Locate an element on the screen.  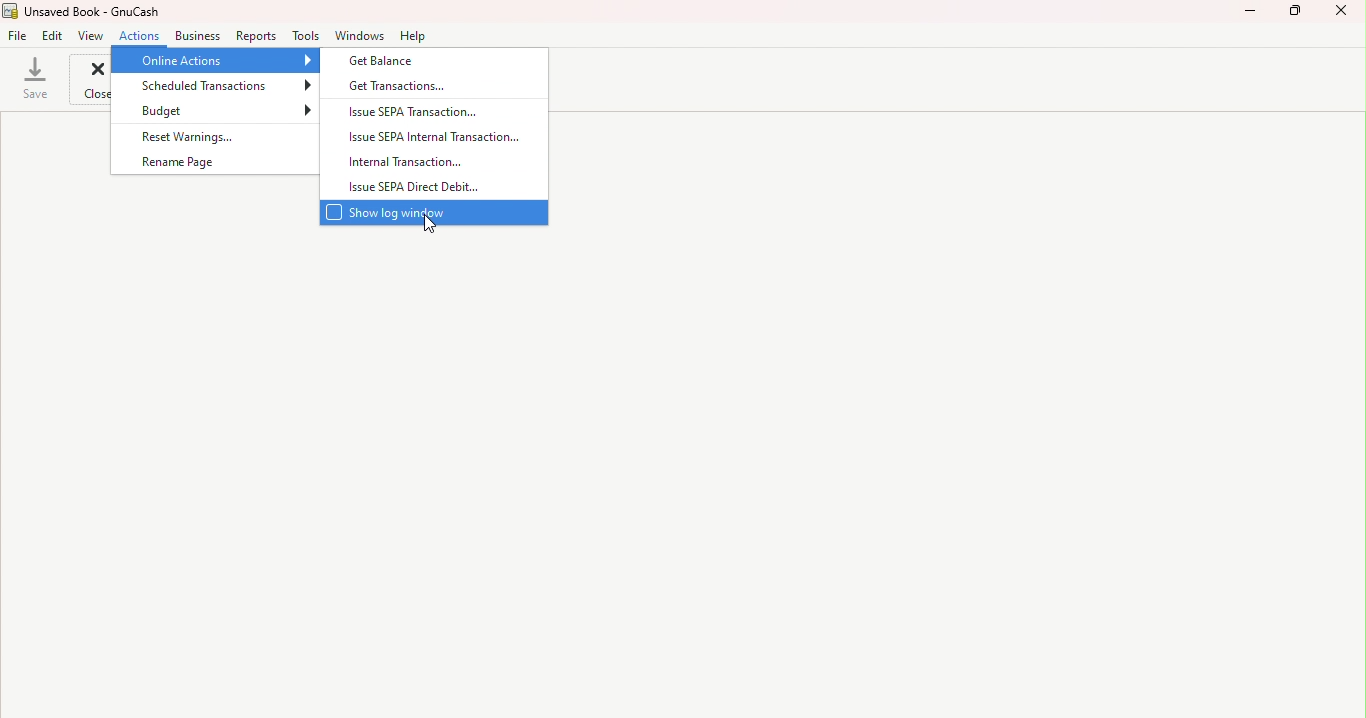
Issue SEPA Transaction is located at coordinates (433, 112).